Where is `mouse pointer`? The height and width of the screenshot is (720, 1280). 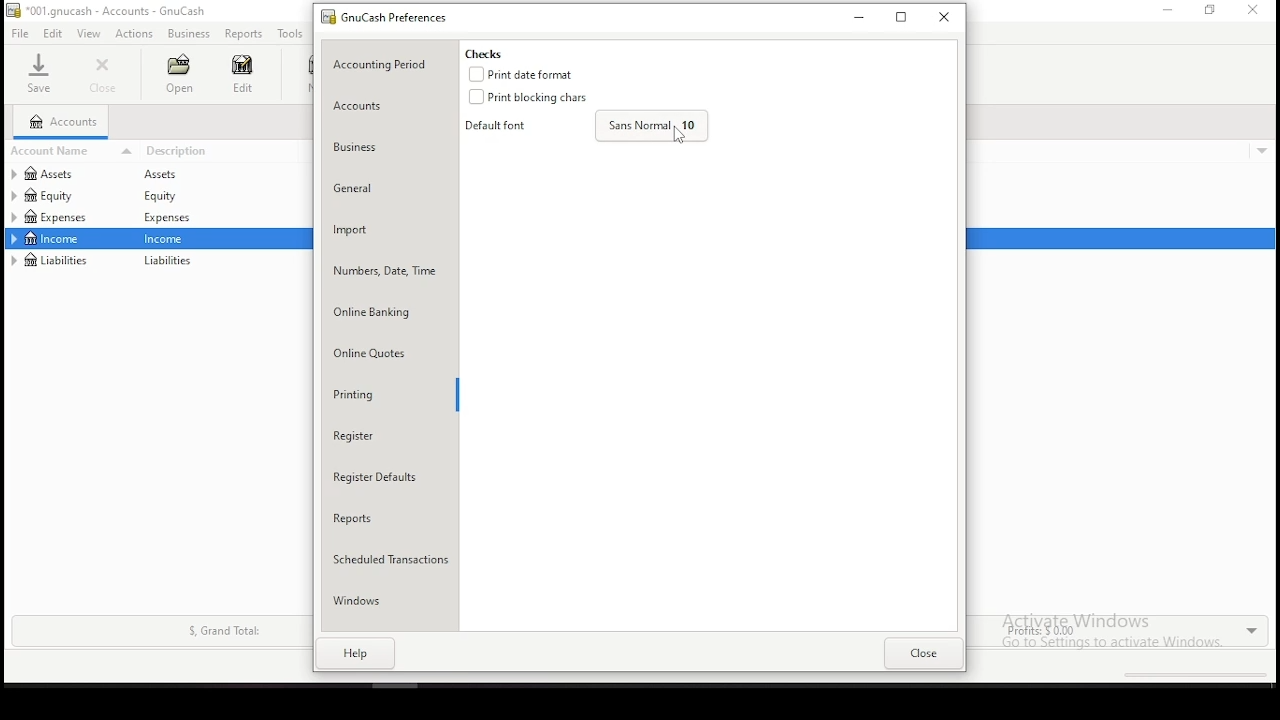 mouse pointer is located at coordinates (673, 134).